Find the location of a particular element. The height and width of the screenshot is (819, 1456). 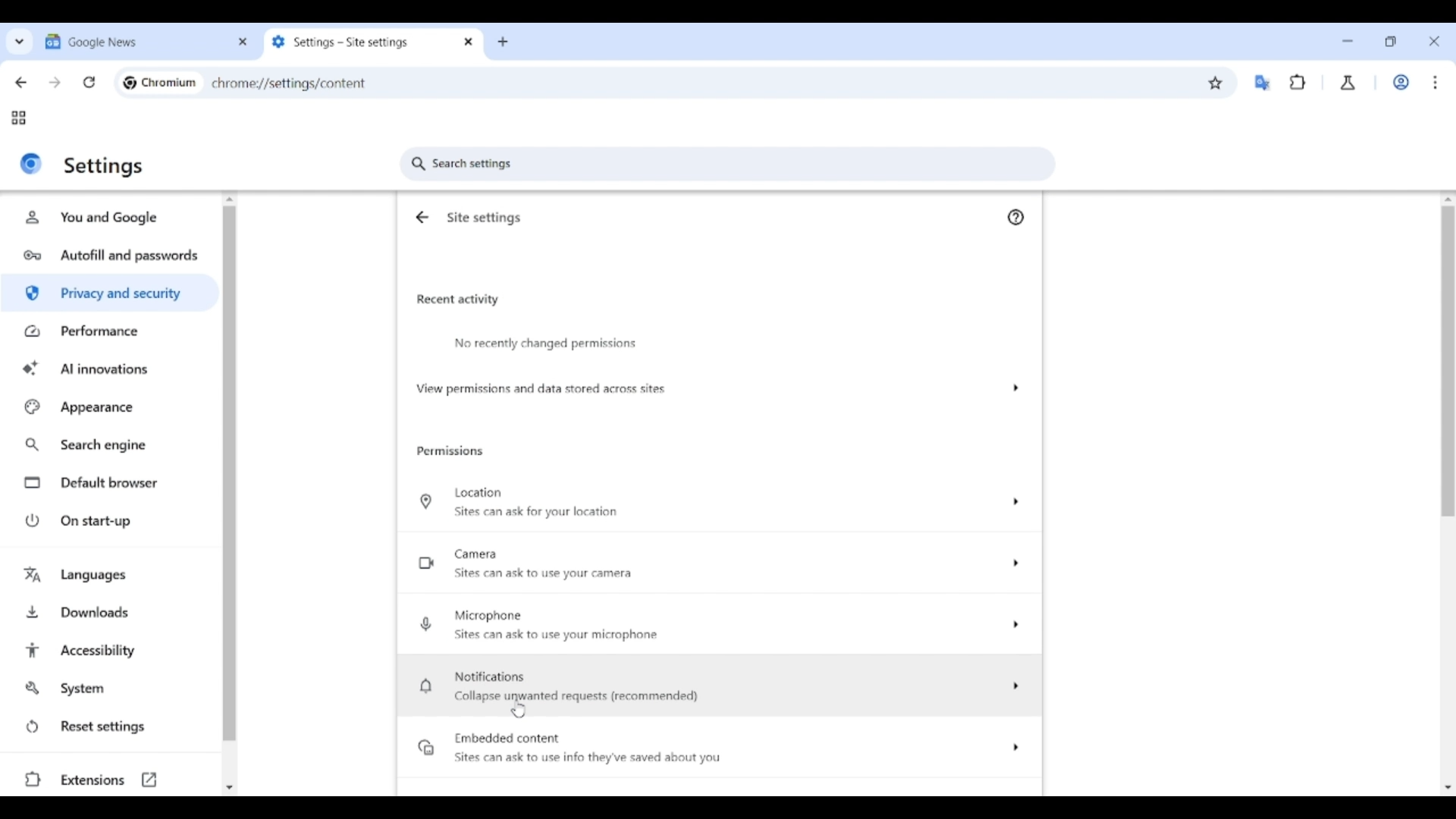

Notification options is located at coordinates (720, 687).